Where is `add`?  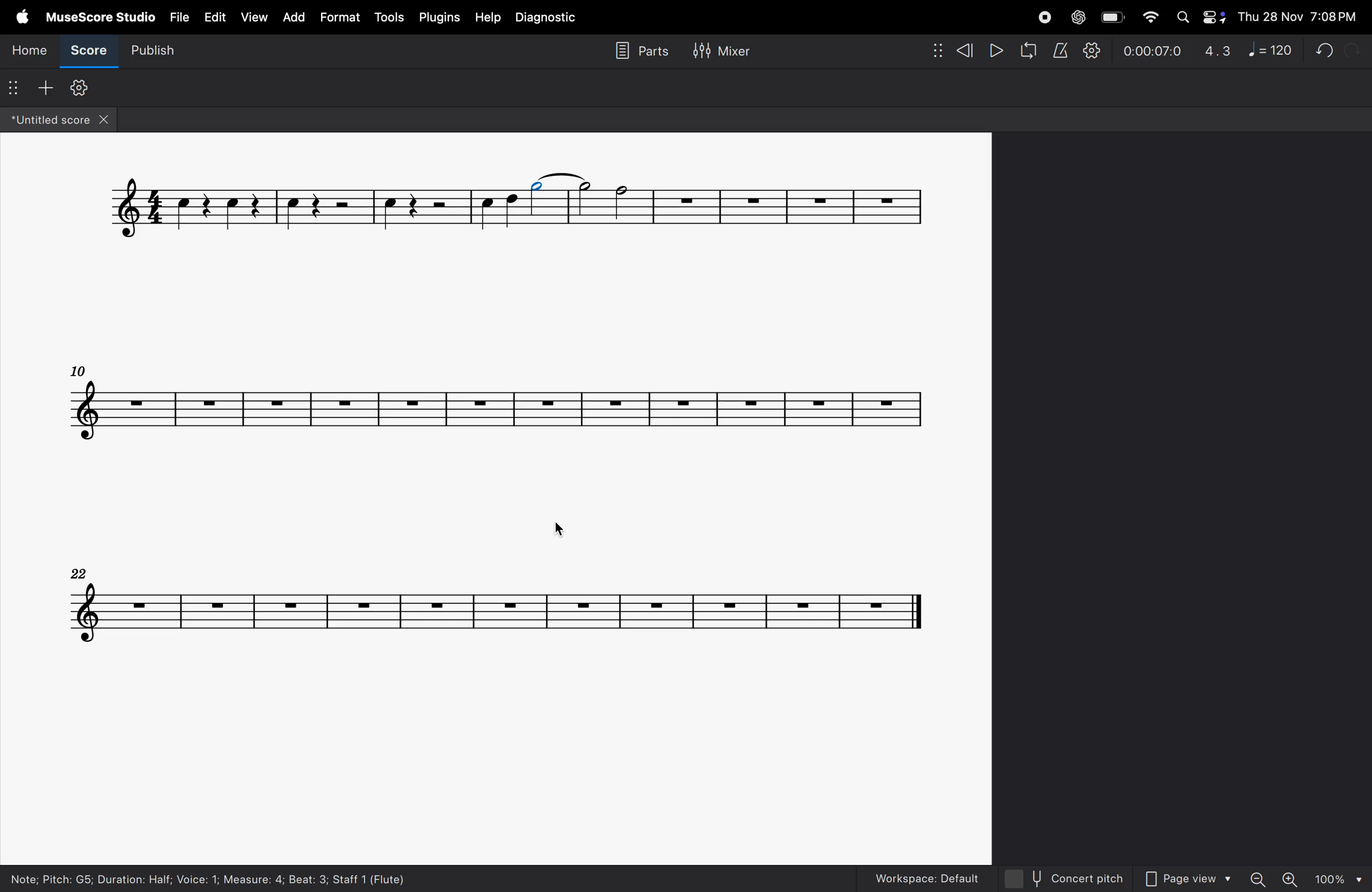
add is located at coordinates (42, 86).